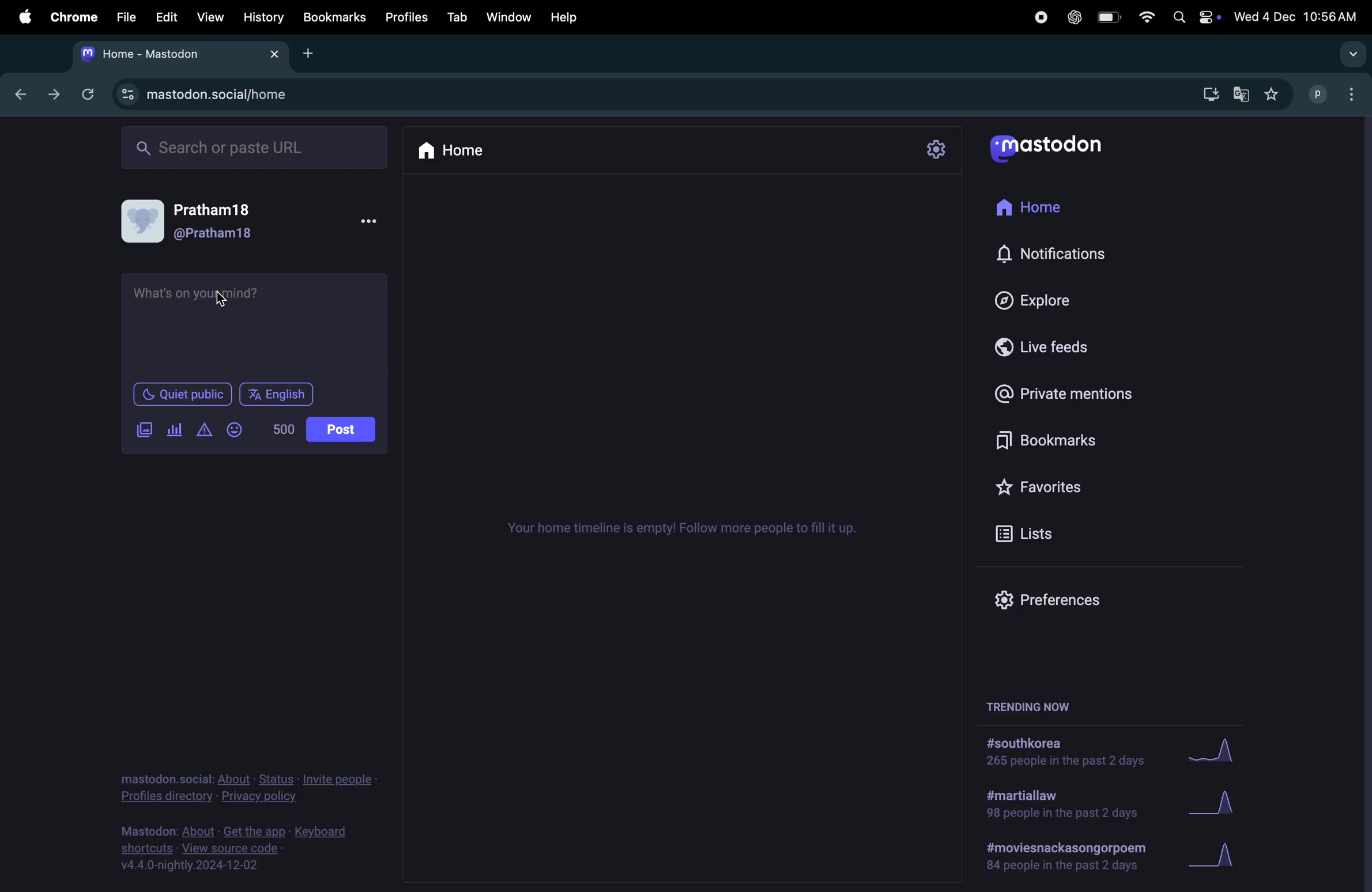  I want to click on Prefrences, so click(1058, 599).